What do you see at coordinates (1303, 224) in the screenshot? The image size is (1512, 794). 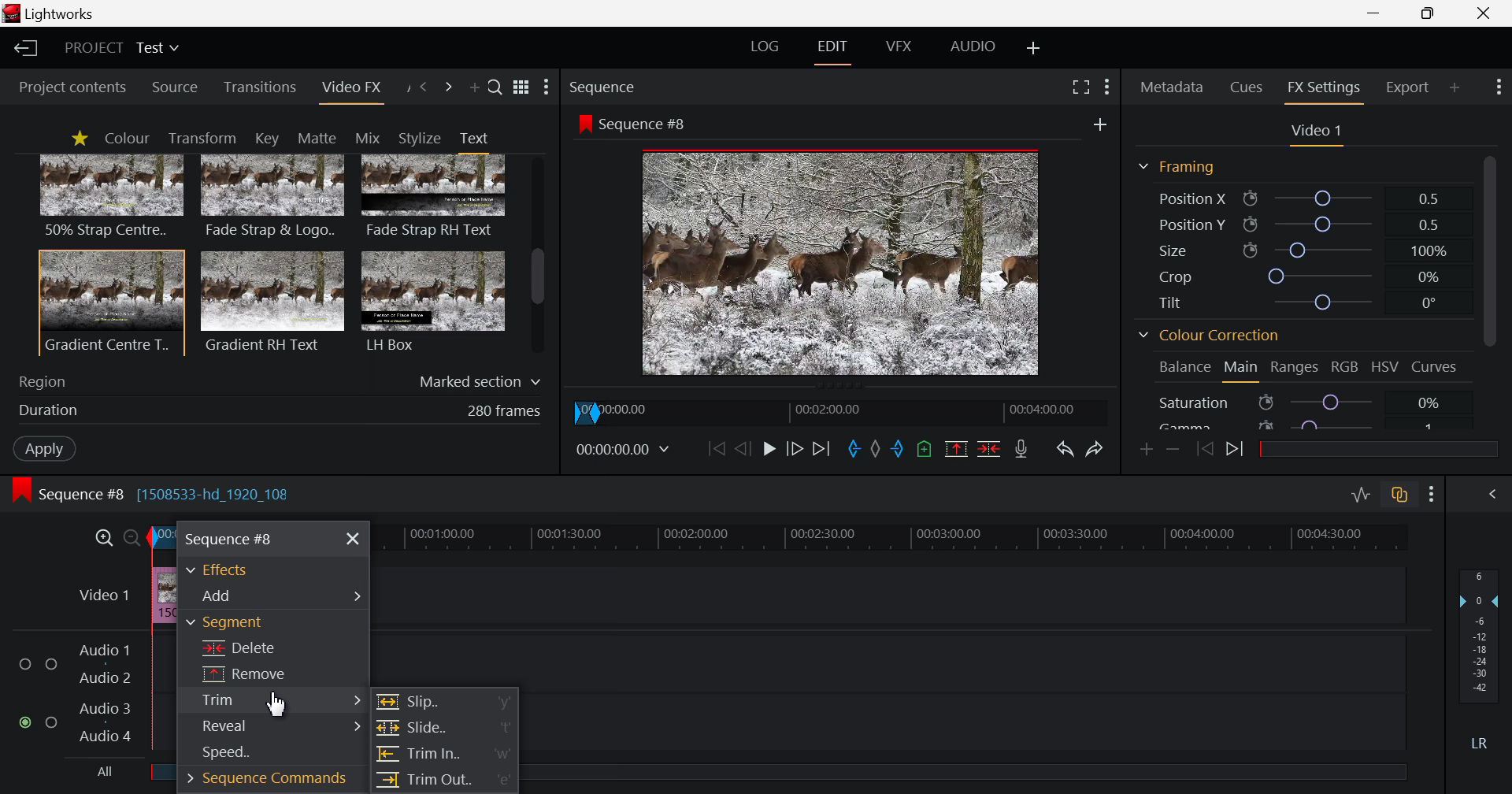 I see `Position Y` at bounding box center [1303, 224].